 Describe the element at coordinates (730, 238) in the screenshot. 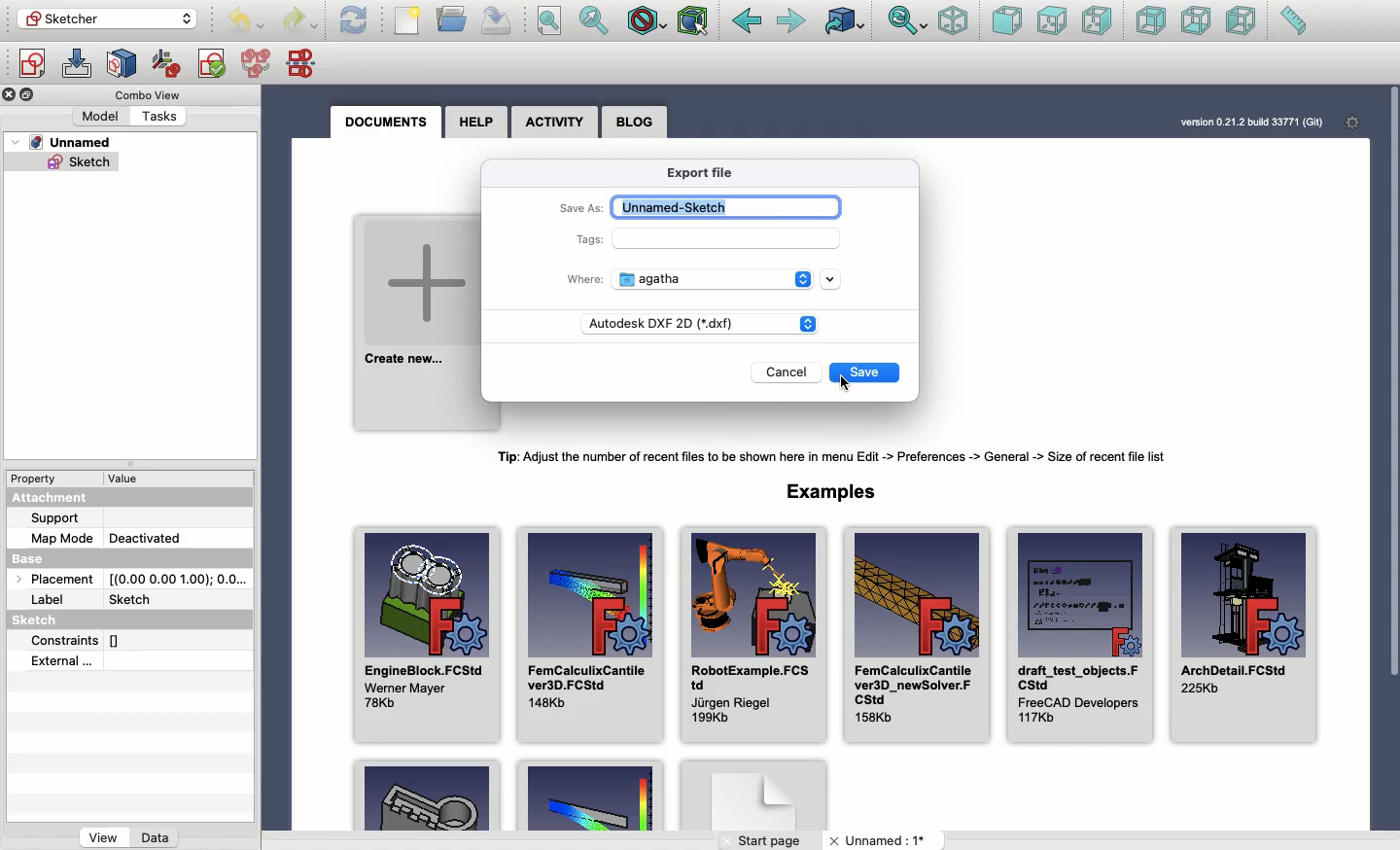

I see `Input` at that location.